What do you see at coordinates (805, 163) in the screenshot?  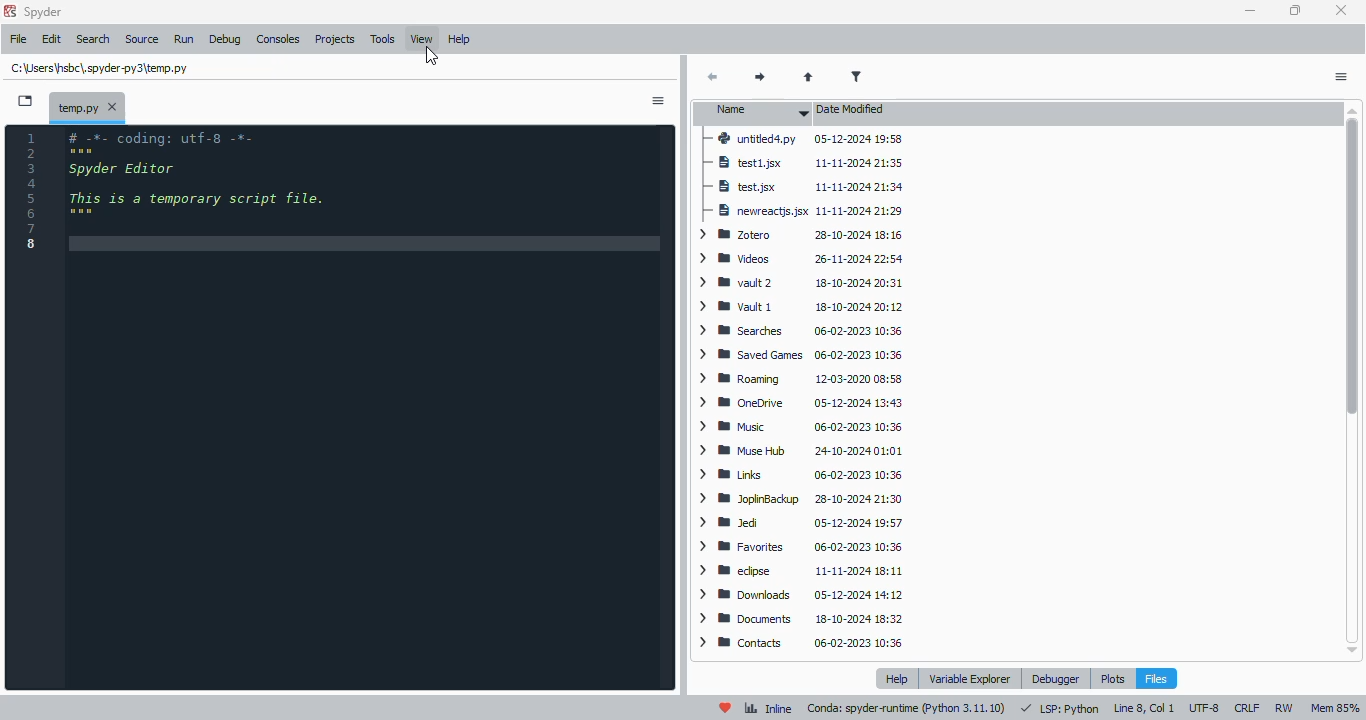 I see `test1.jsx` at bounding box center [805, 163].